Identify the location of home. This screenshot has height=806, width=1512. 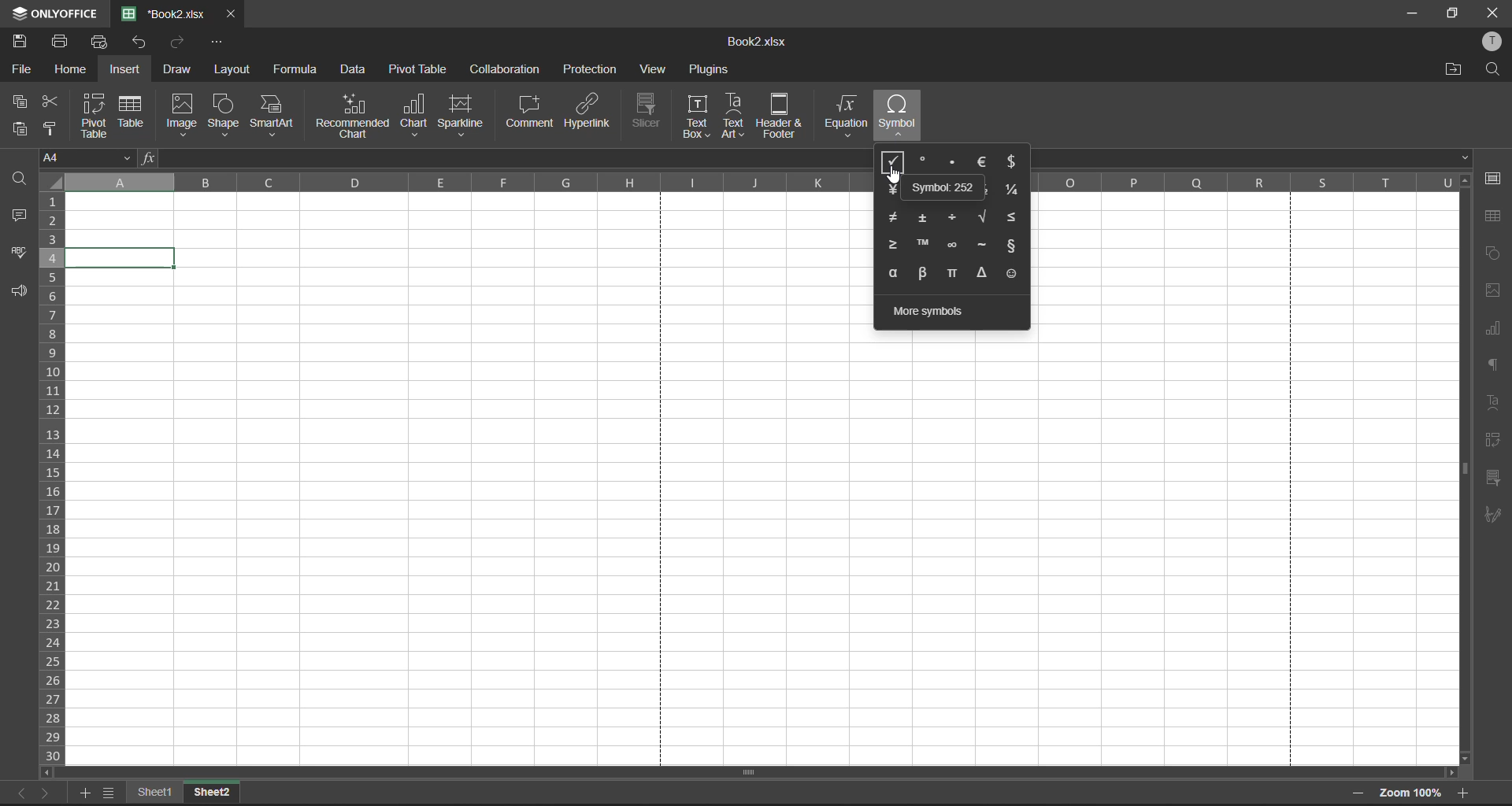
(71, 70).